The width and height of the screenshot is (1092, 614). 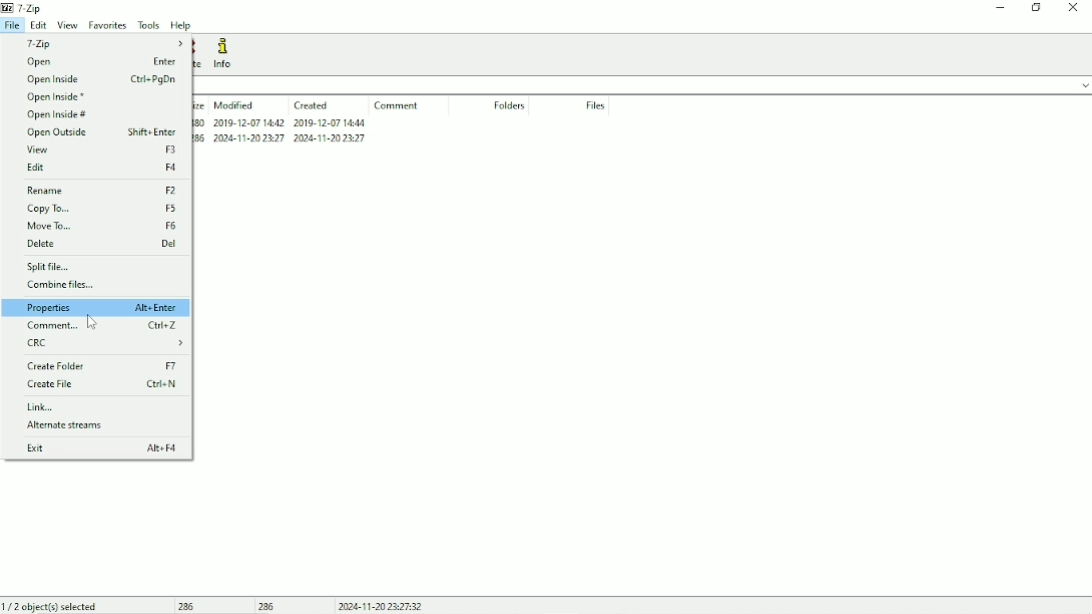 I want to click on Tools, so click(x=149, y=25).